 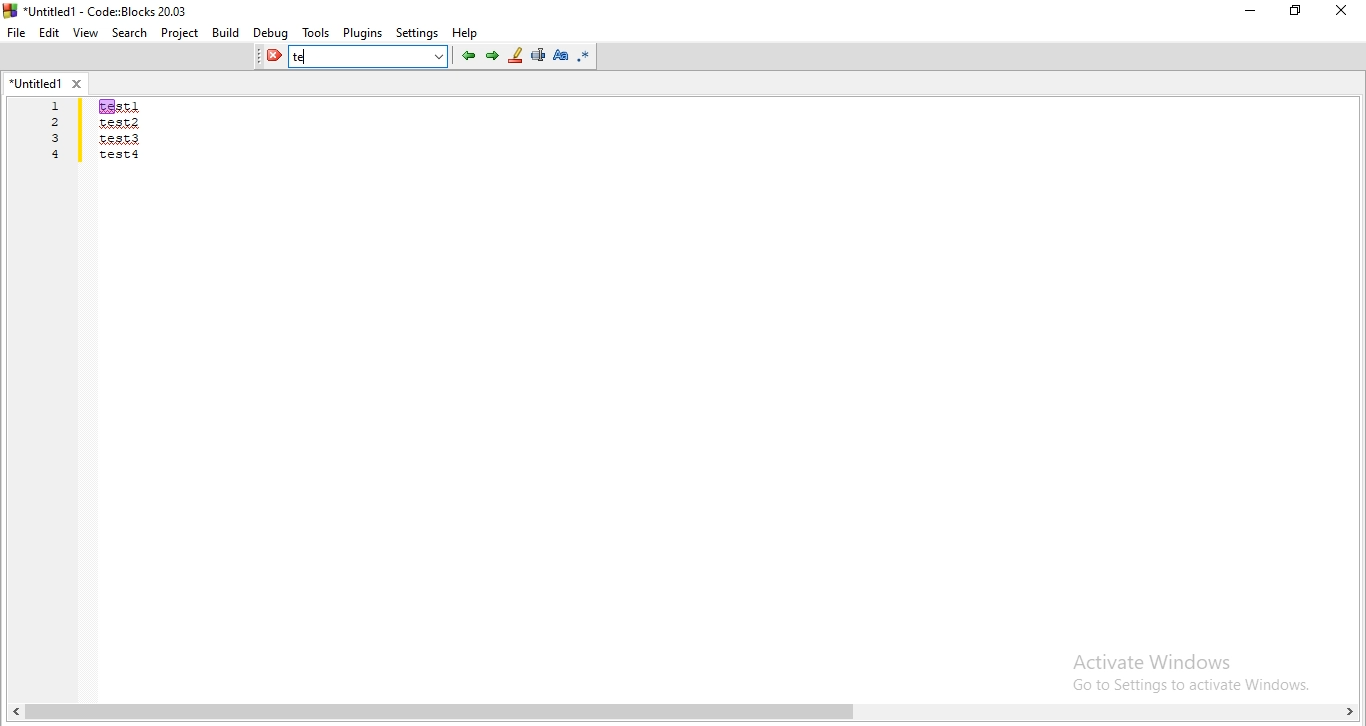 I want to click on Tools, so click(x=316, y=34).